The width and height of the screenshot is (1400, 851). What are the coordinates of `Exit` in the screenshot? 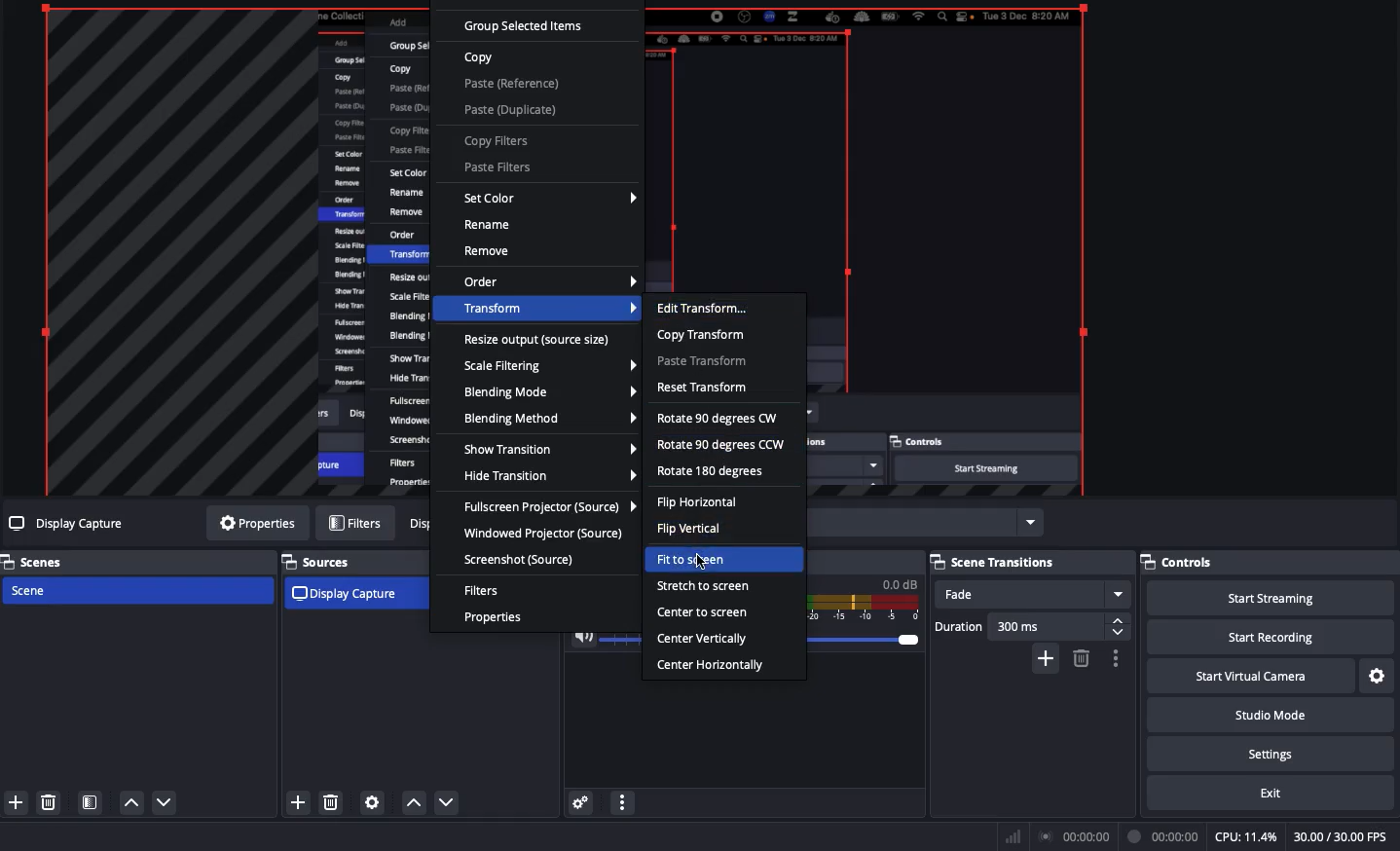 It's located at (1270, 795).